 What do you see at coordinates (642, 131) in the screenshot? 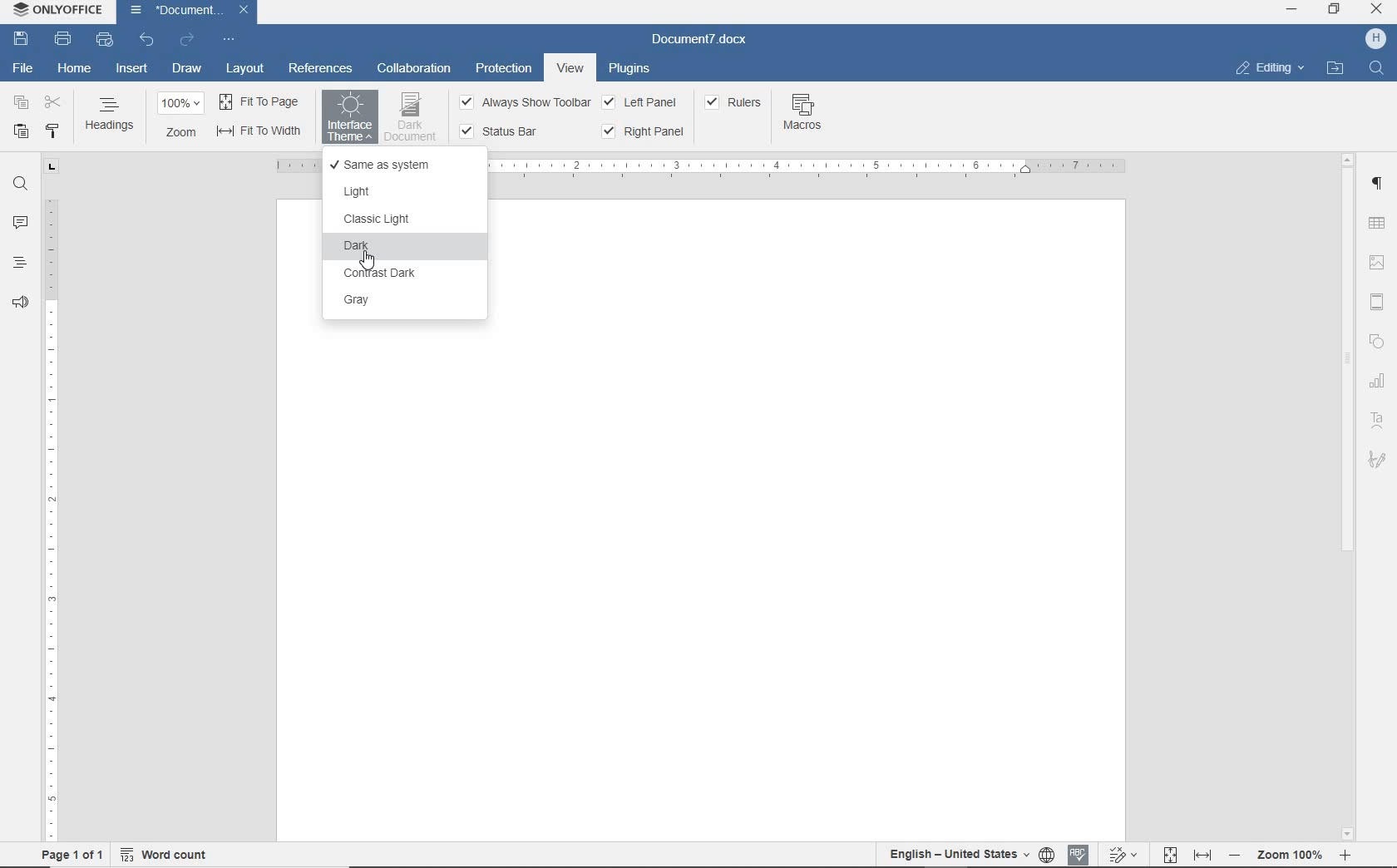
I see `RIGHT PANE` at bounding box center [642, 131].